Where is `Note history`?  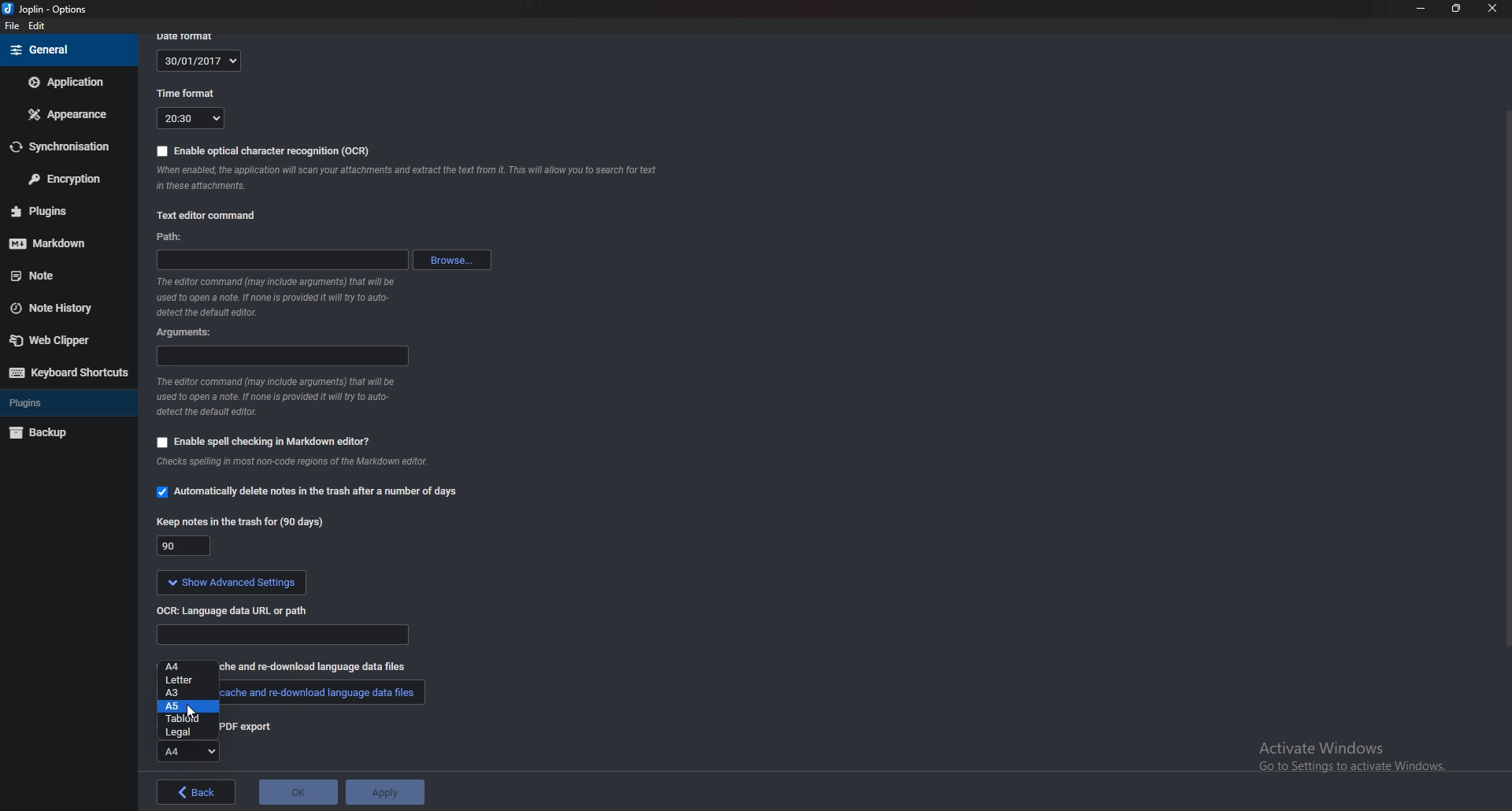
Note history is located at coordinates (66, 306).